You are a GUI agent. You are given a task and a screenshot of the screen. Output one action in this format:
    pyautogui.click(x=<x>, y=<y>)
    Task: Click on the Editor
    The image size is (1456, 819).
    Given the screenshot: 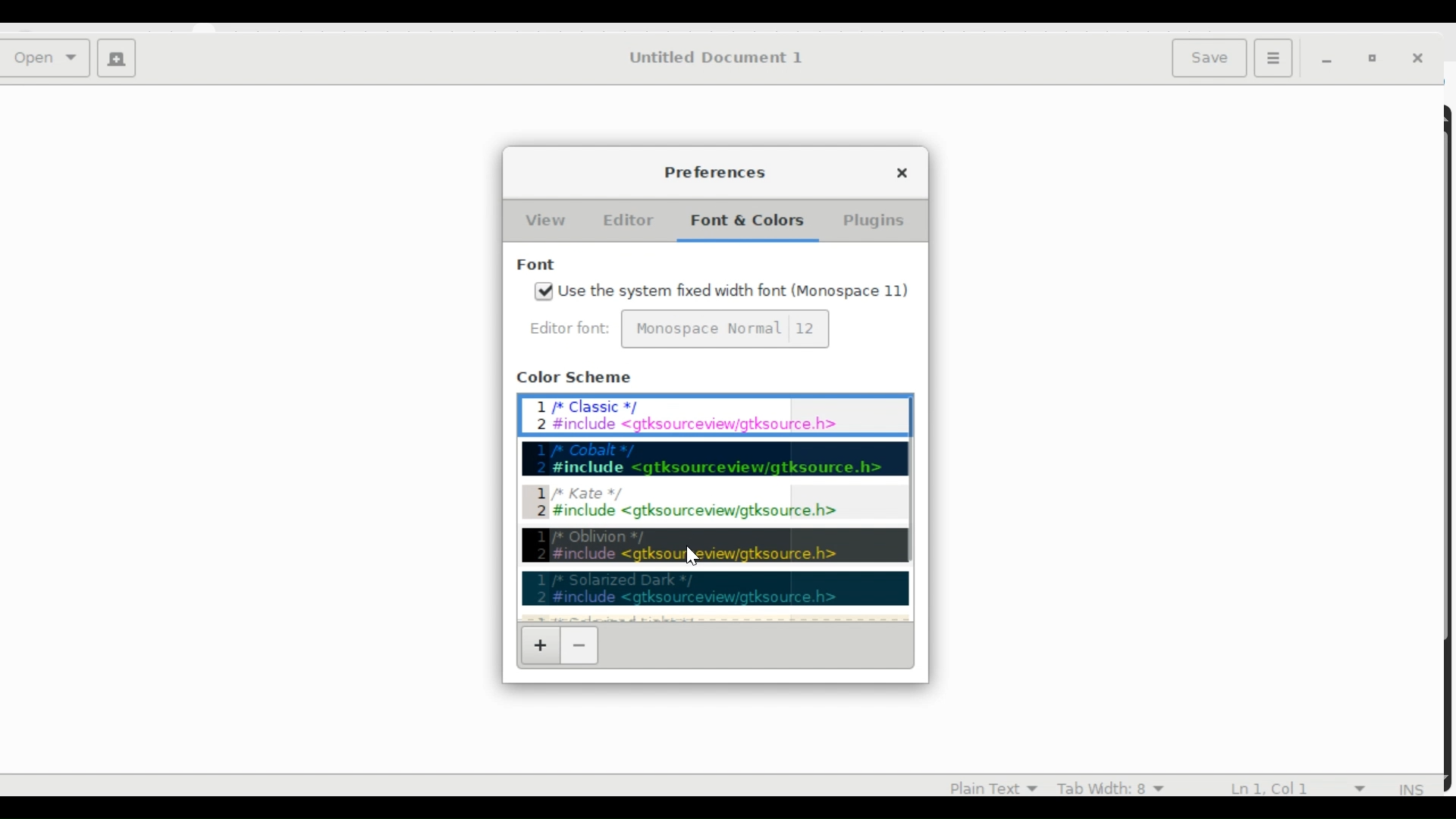 What is the action you would take?
    pyautogui.click(x=626, y=220)
    